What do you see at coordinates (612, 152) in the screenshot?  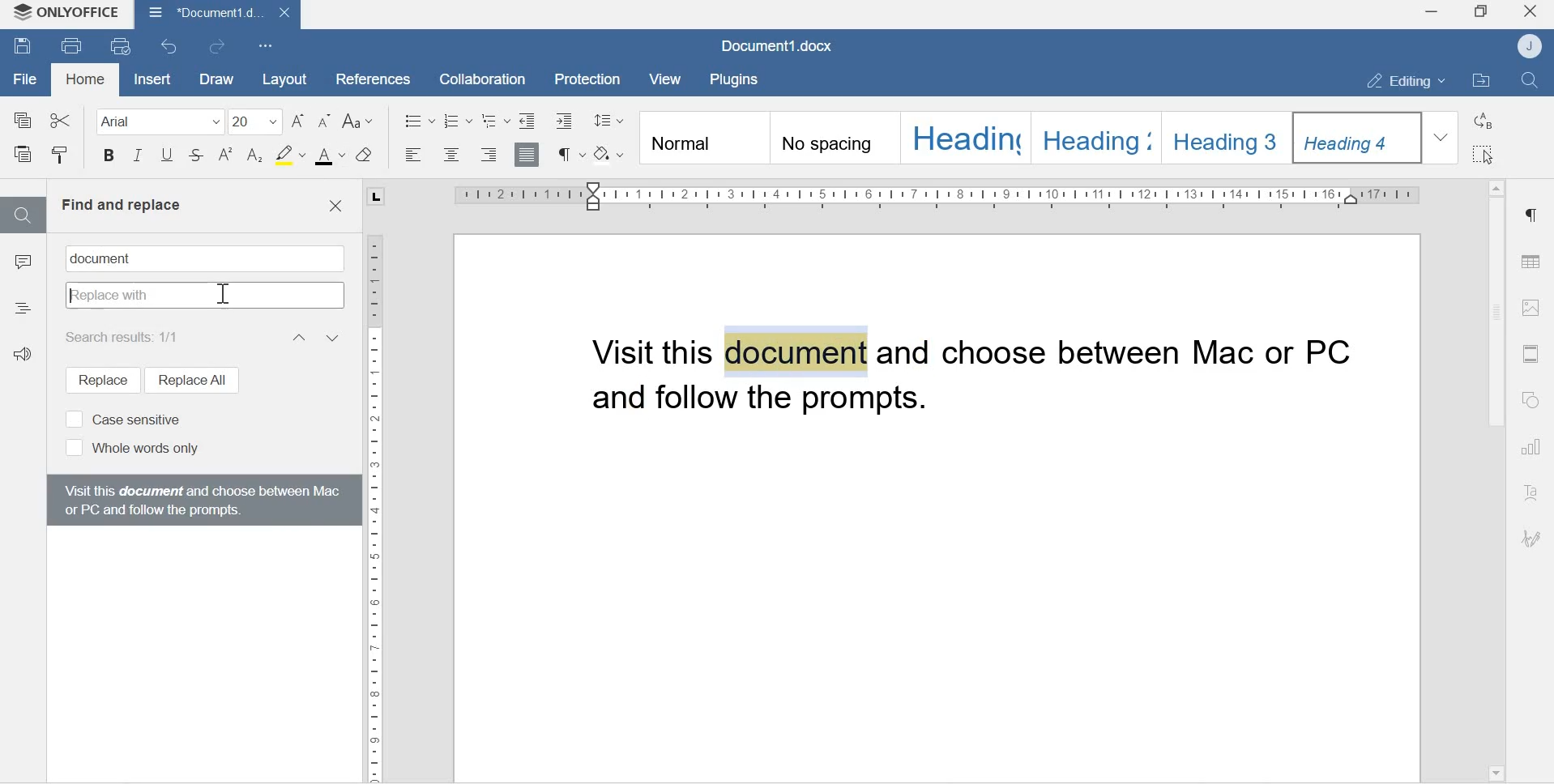 I see `Shading` at bounding box center [612, 152].